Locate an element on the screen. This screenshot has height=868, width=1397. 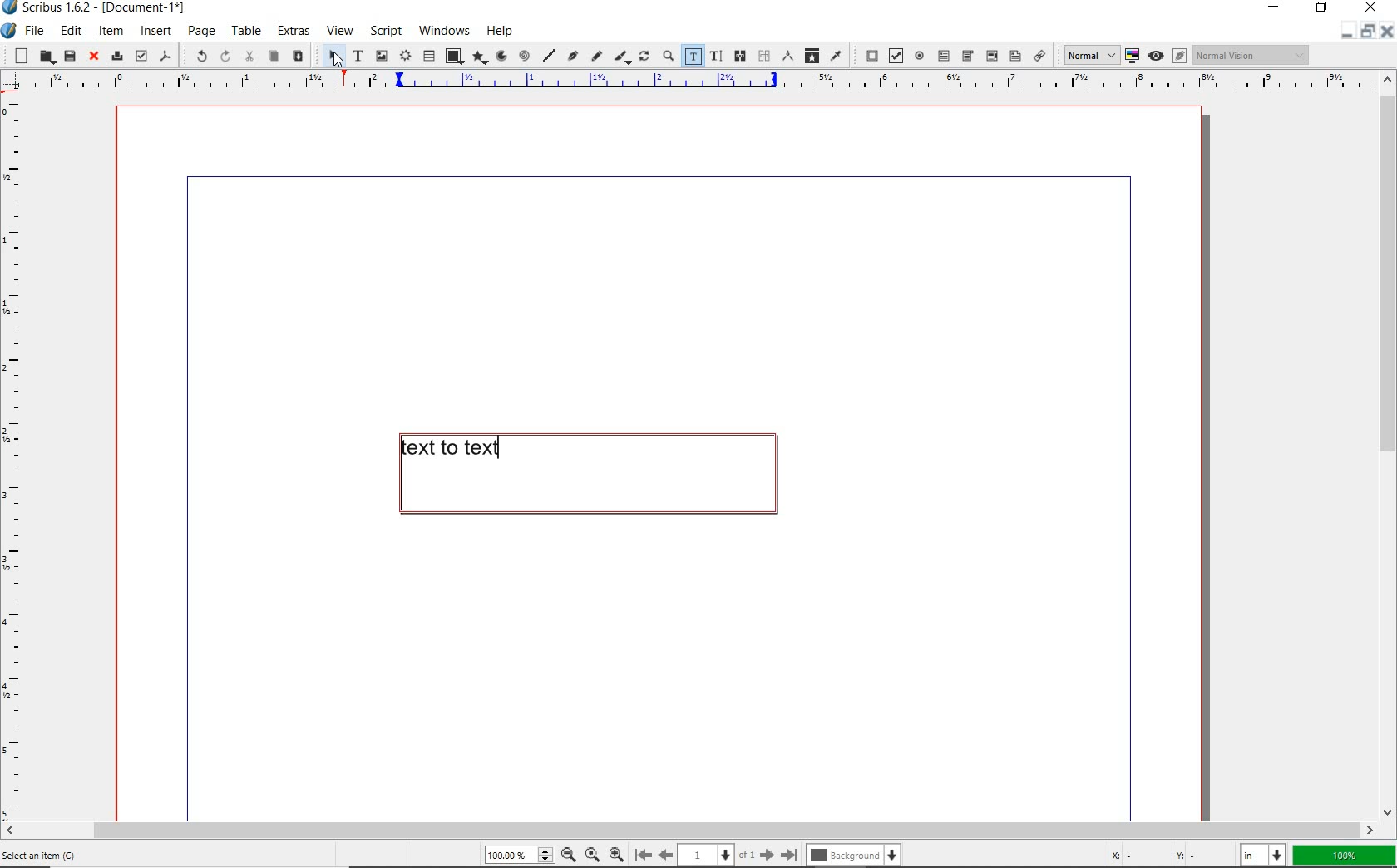
Zoom to 100% is located at coordinates (590, 854).